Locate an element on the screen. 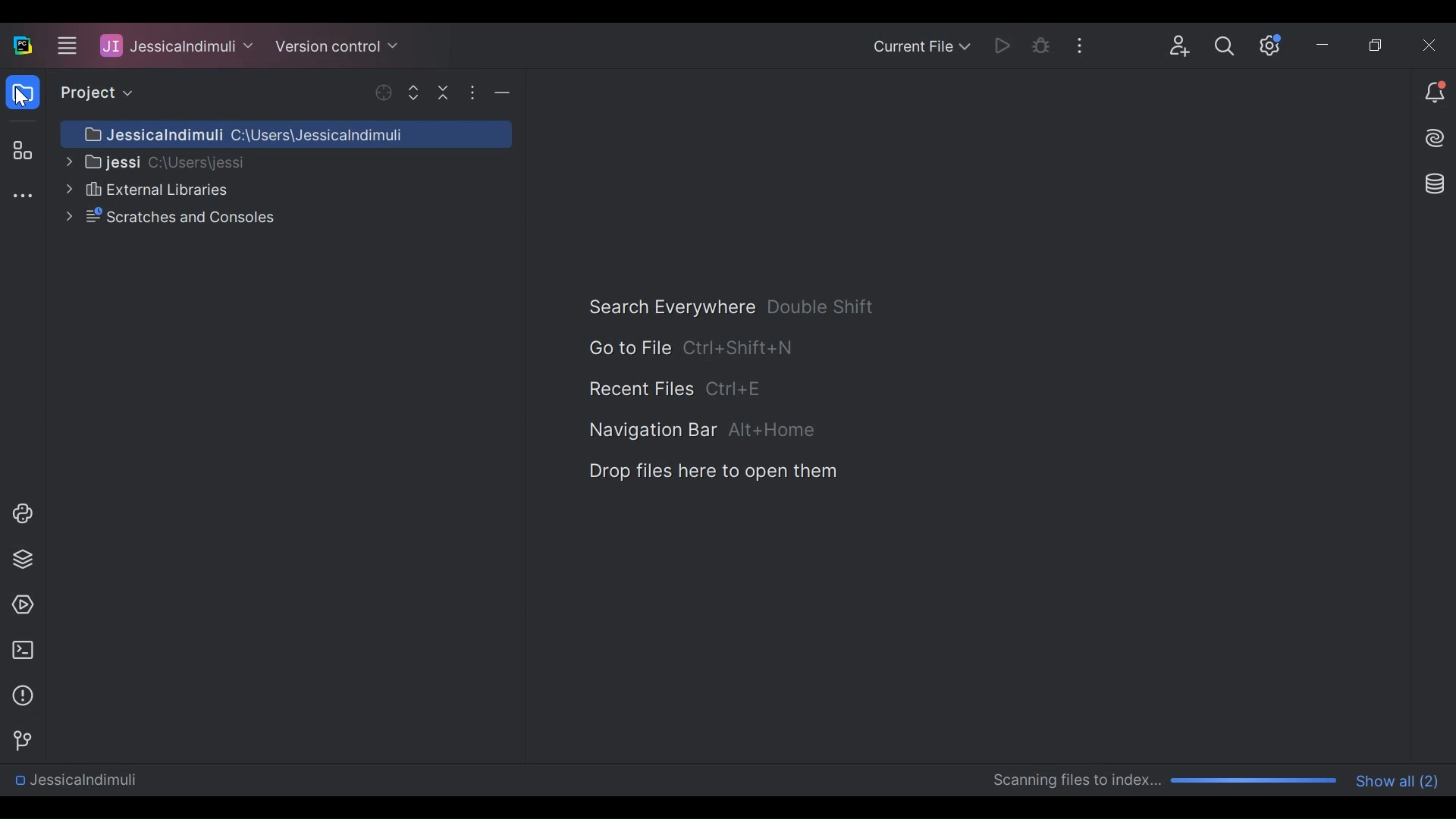  Directory is located at coordinates (77, 780).